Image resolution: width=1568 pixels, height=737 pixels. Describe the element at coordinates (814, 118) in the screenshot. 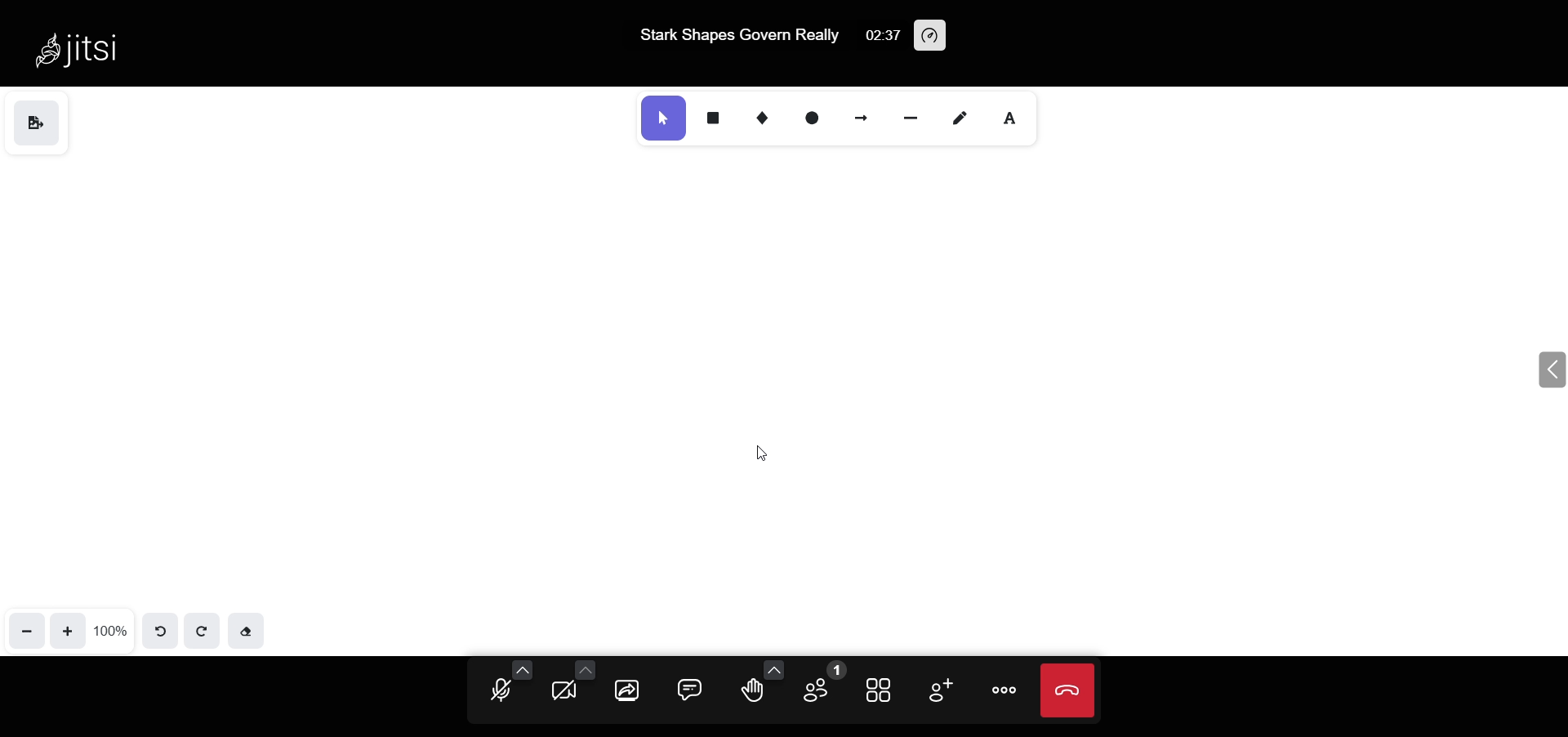

I see `ellipse` at that location.